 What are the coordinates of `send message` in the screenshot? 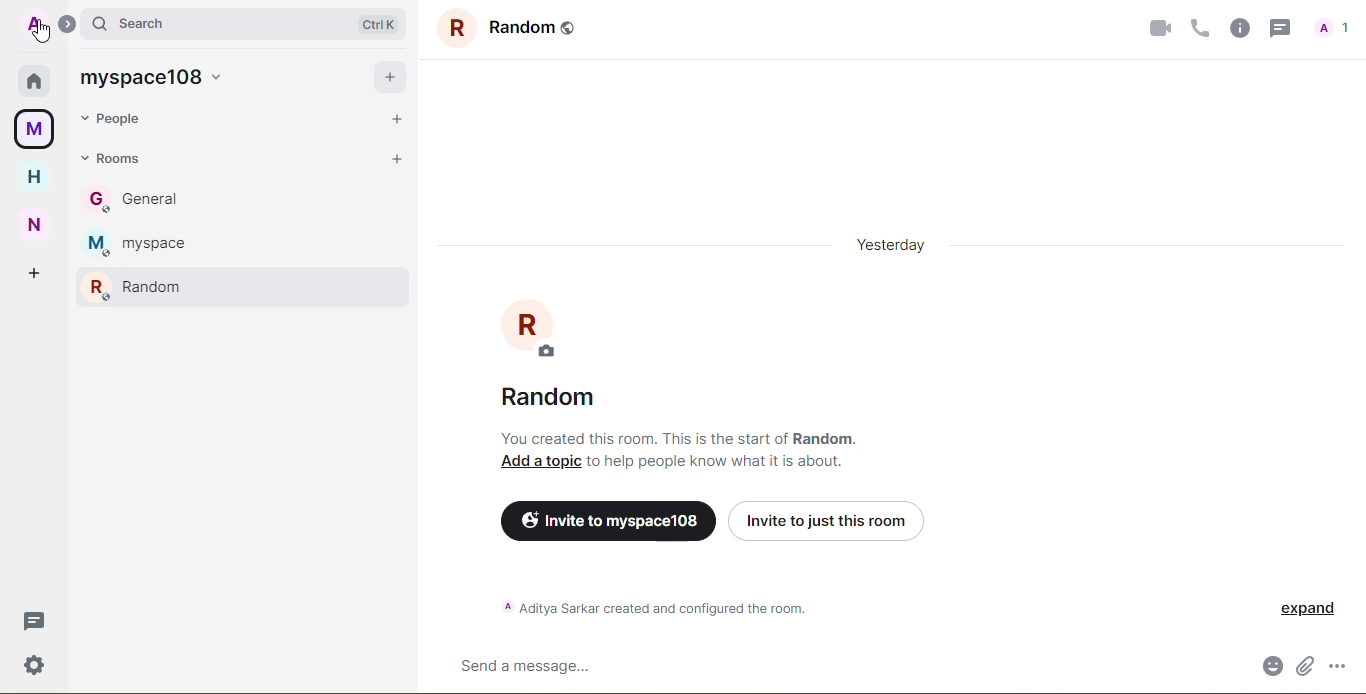 It's located at (523, 667).